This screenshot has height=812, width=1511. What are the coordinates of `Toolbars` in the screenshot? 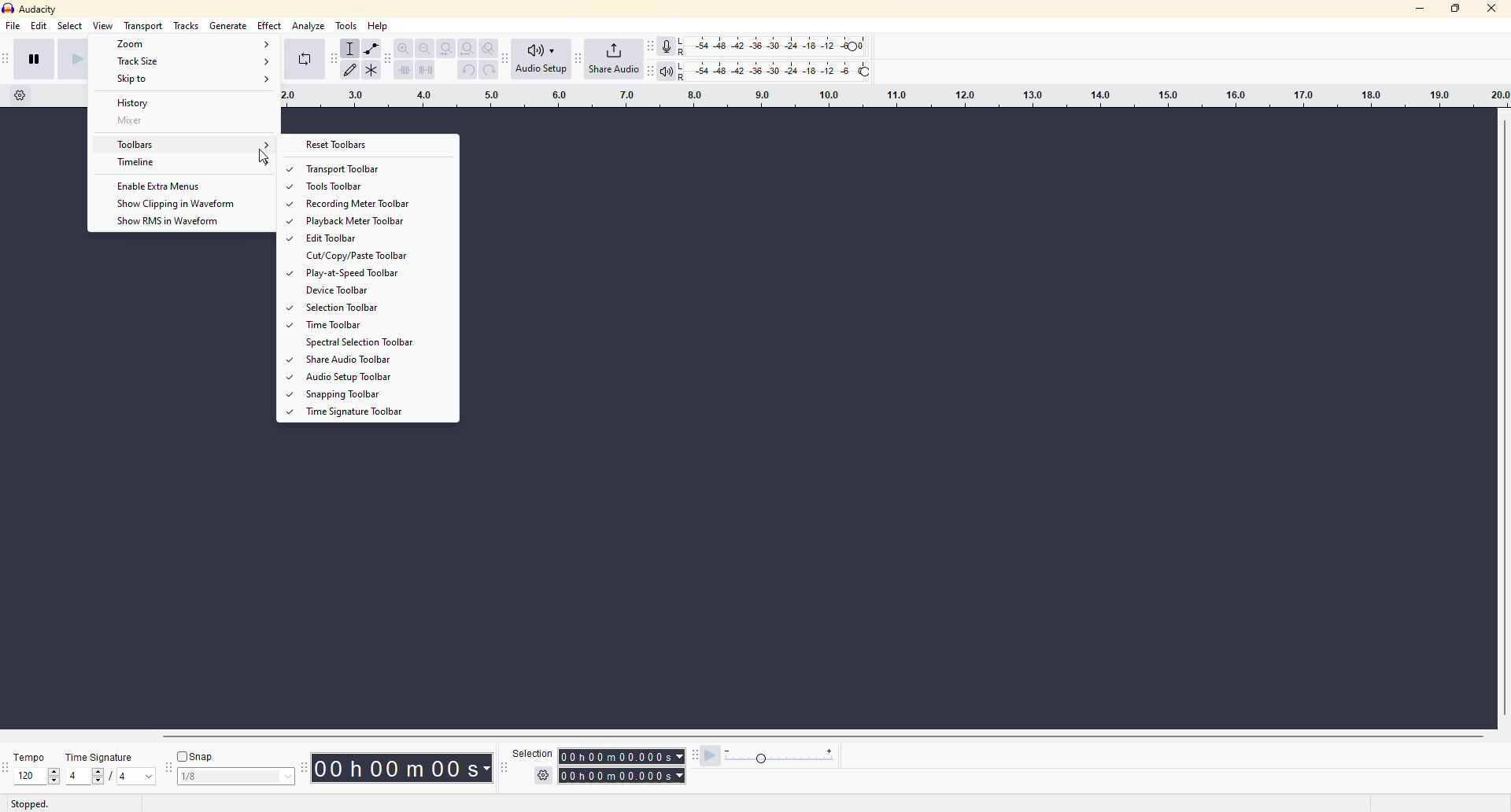 It's located at (194, 145).